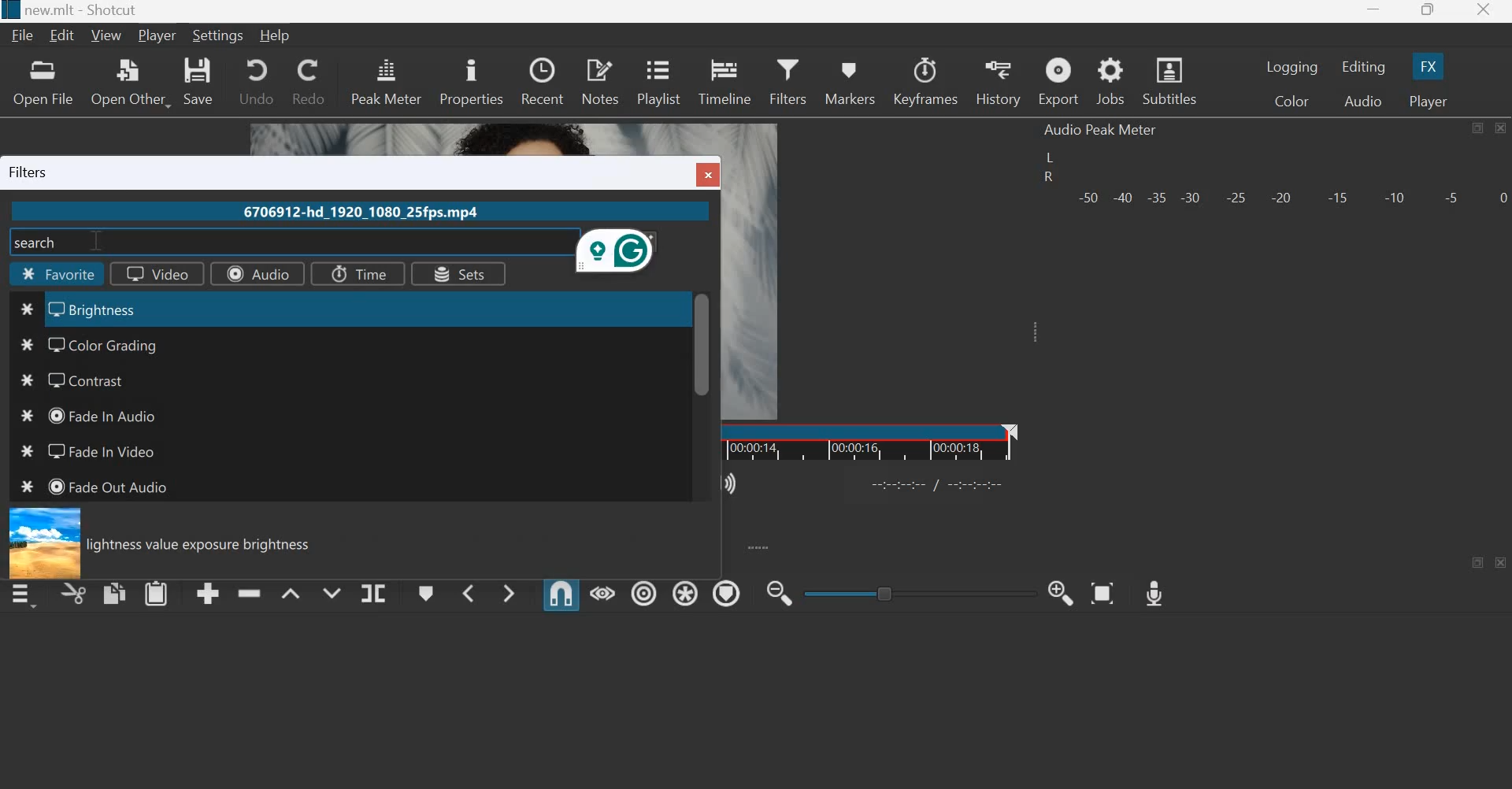 The image size is (1512, 789). What do you see at coordinates (457, 275) in the screenshot?
I see `Sets` at bounding box center [457, 275].